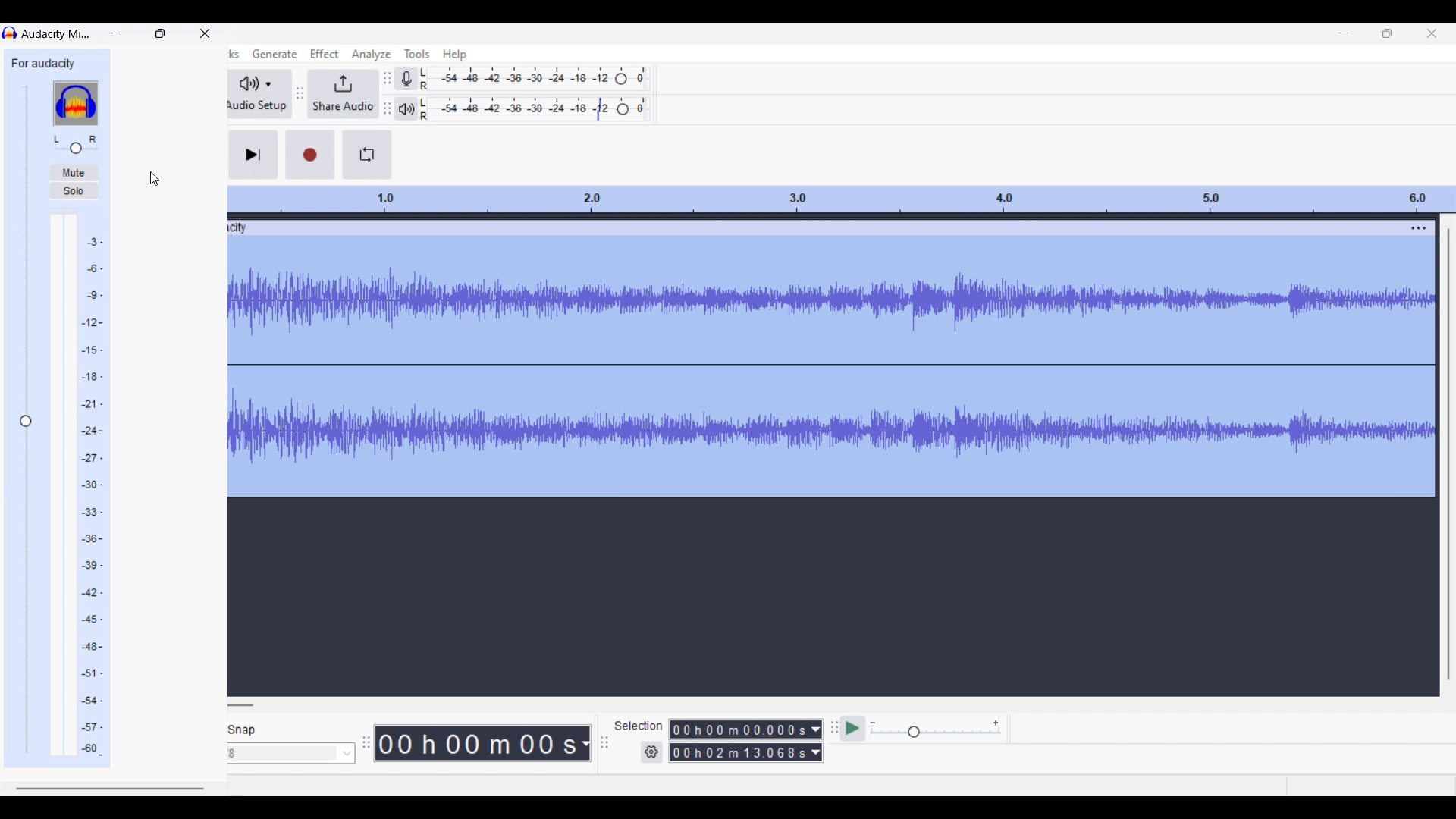 This screenshot has width=1456, height=819. What do you see at coordinates (367, 155) in the screenshot?
I see `Enable looping` at bounding box center [367, 155].